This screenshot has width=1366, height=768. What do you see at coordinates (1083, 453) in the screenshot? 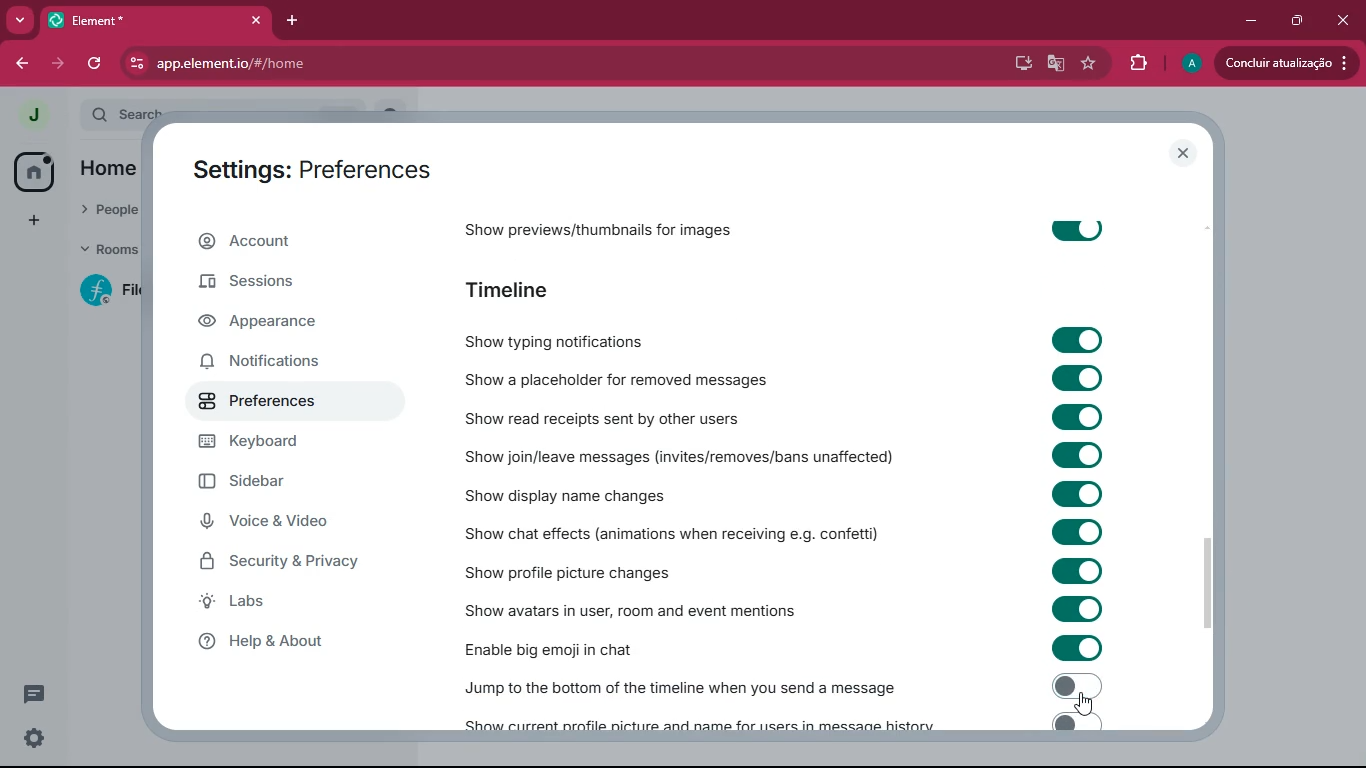
I see `toggle on ` at bounding box center [1083, 453].